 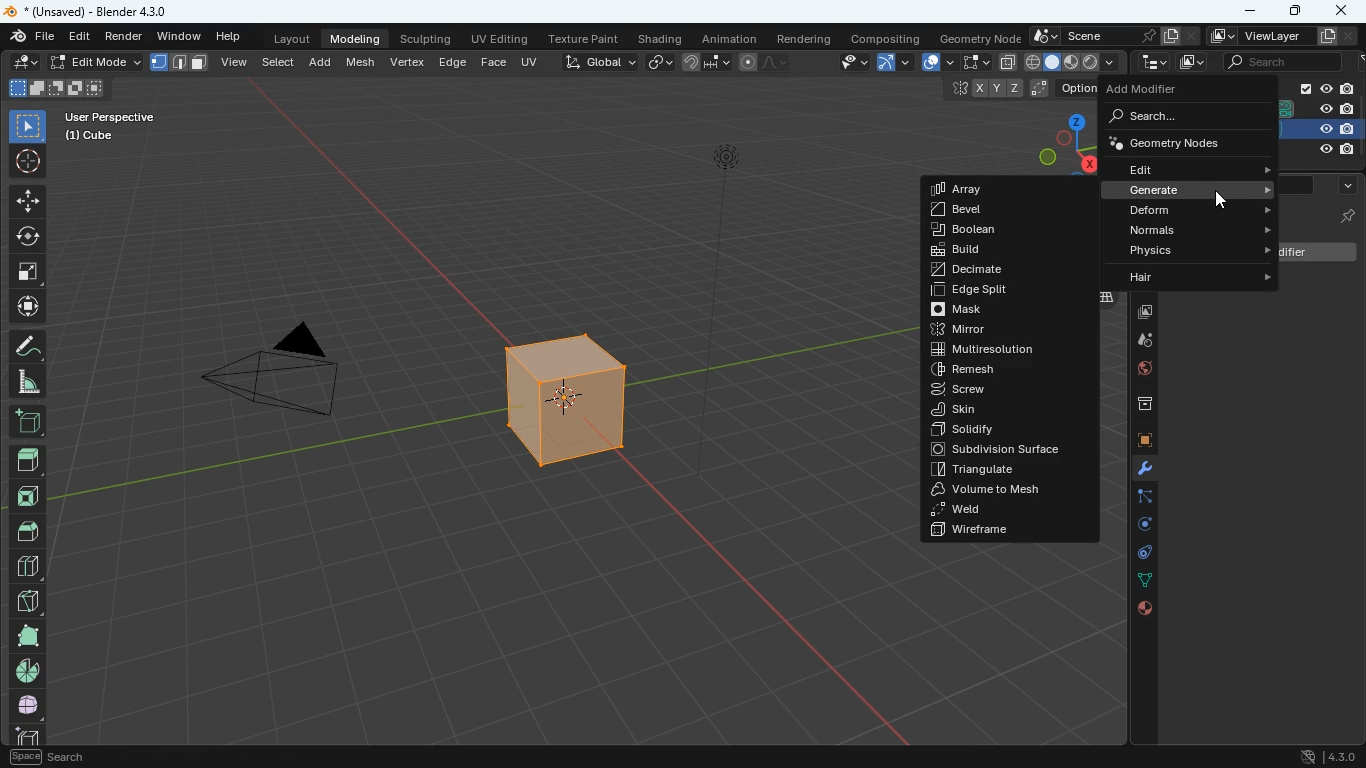 I want to click on move, so click(x=28, y=309).